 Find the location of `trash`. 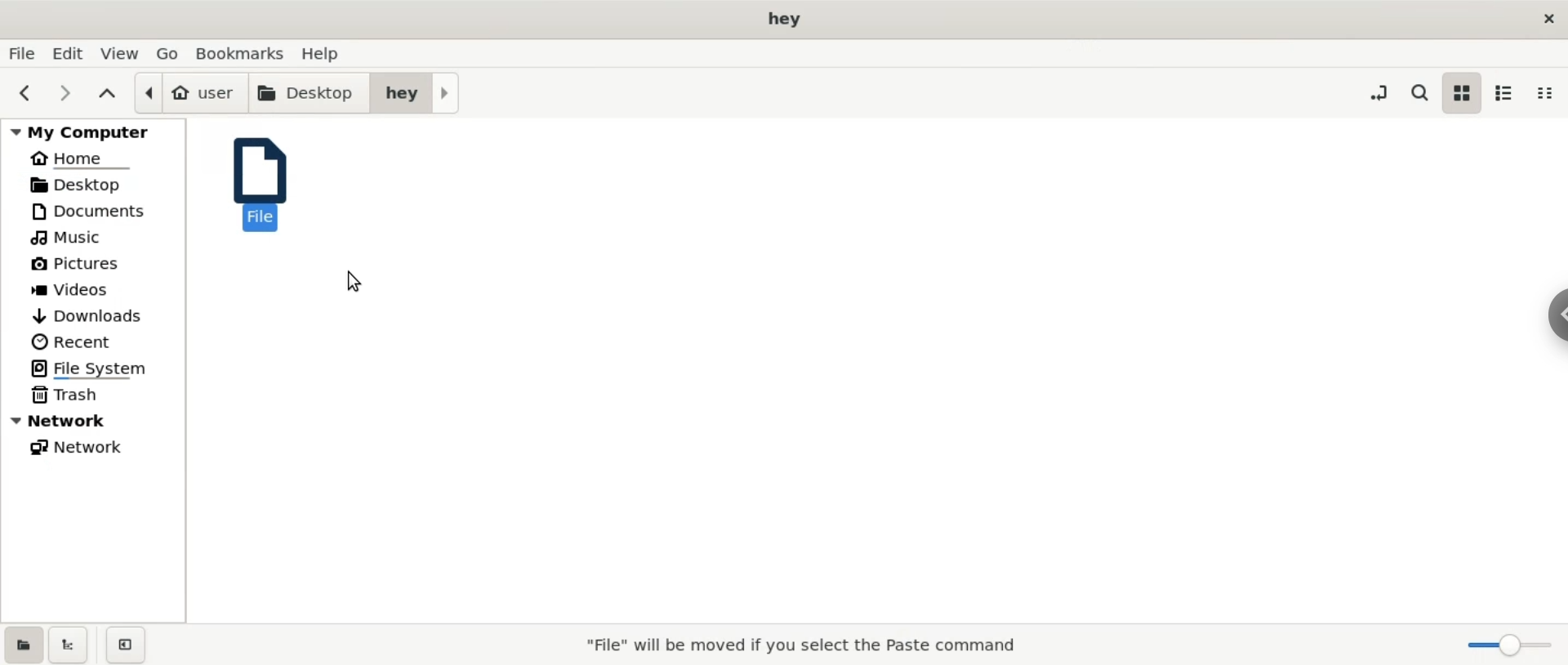

trash is located at coordinates (94, 395).